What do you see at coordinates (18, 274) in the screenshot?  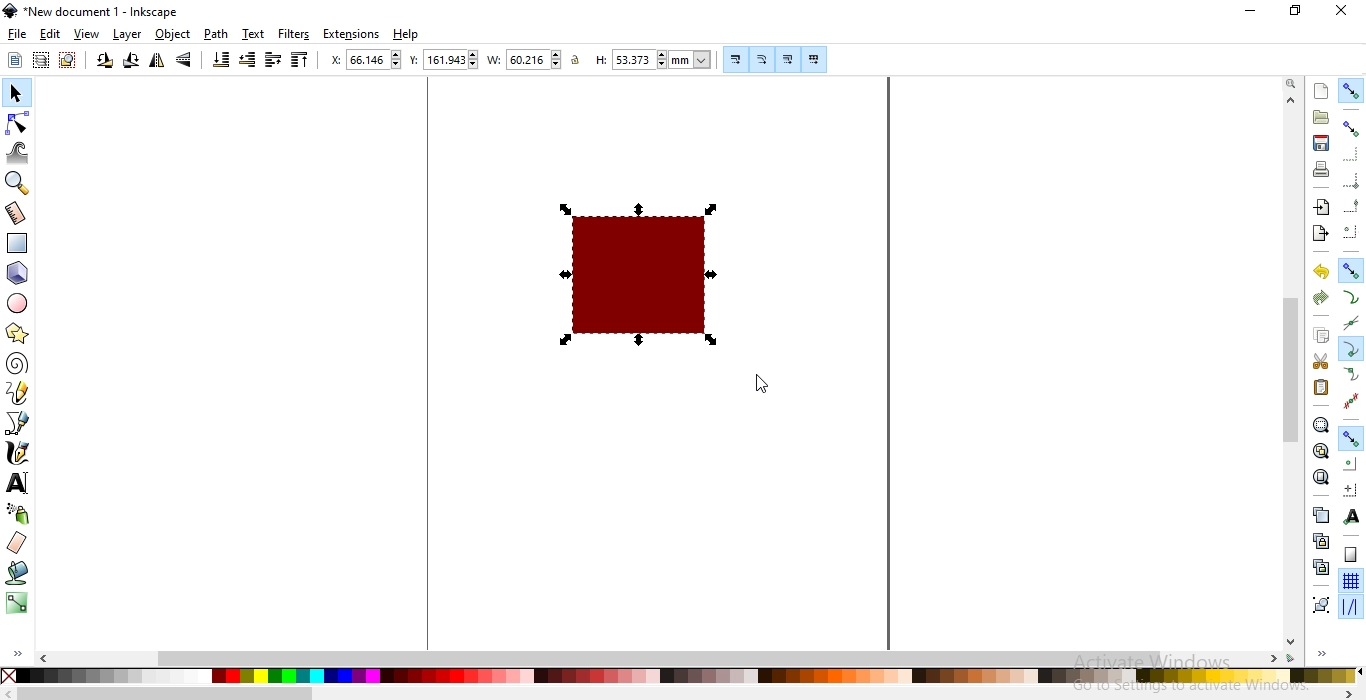 I see `create 3d boxes` at bounding box center [18, 274].